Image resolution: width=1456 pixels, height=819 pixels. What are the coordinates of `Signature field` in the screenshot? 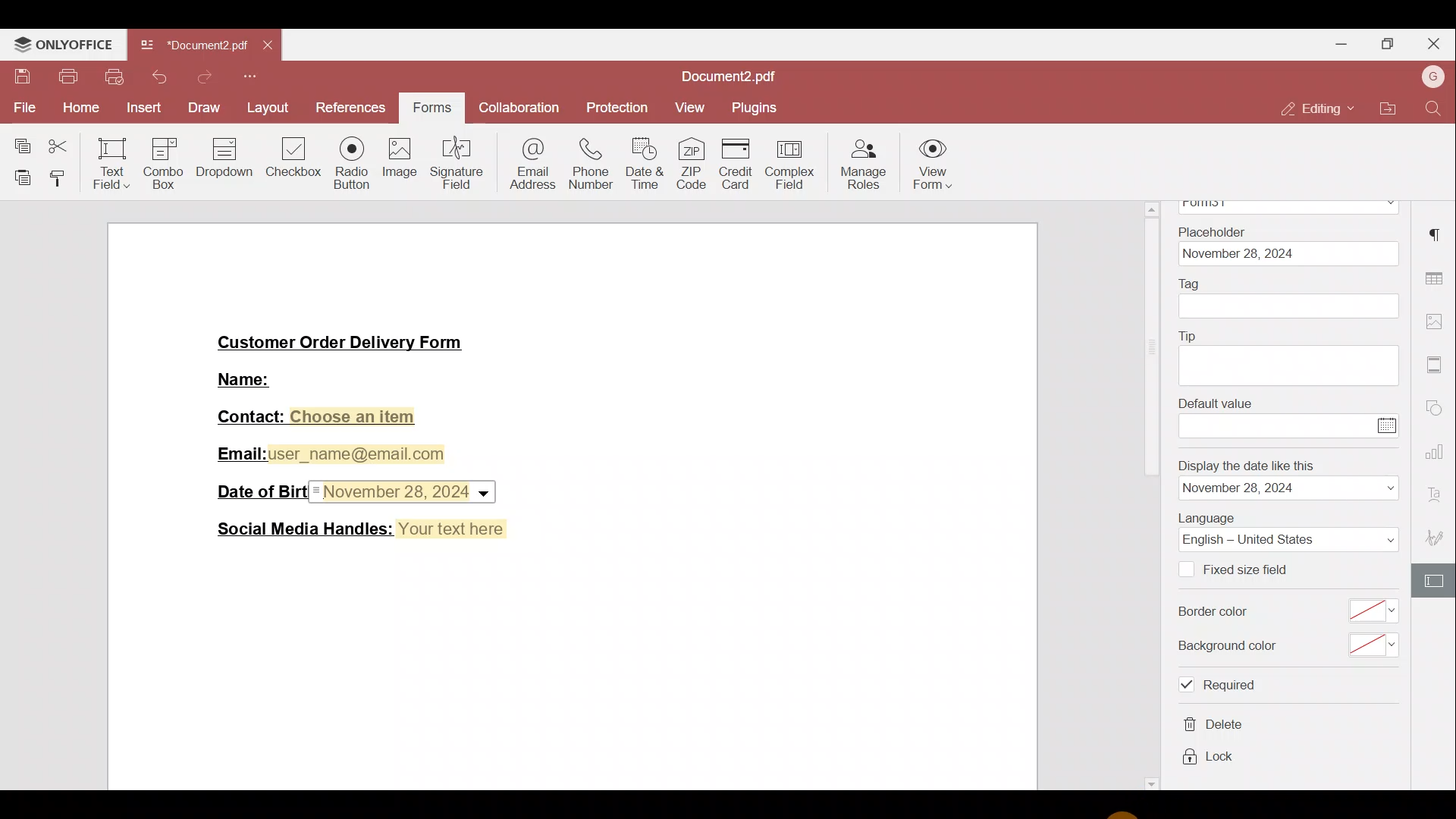 It's located at (459, 161).